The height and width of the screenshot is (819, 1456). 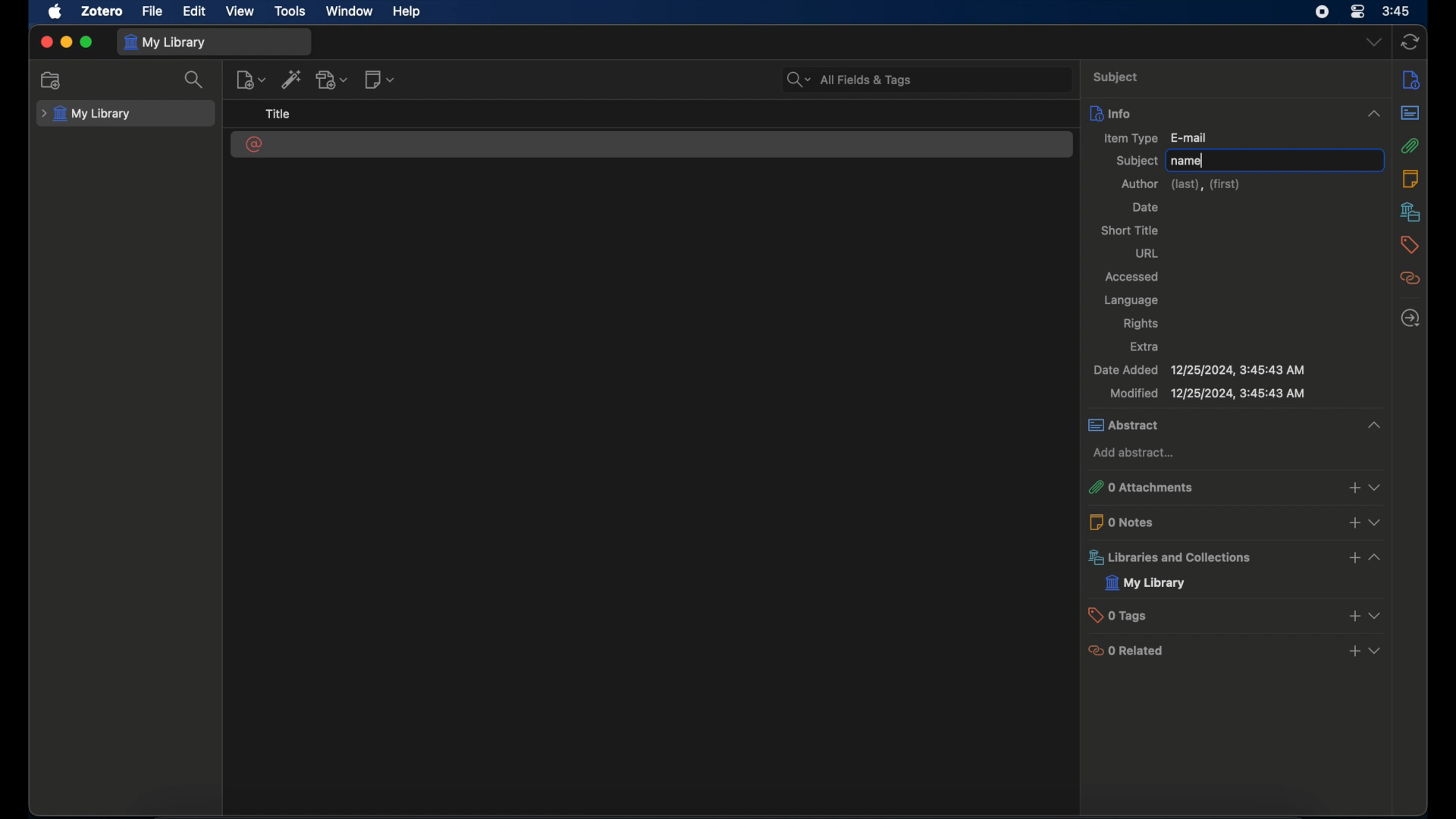 I want to click on libraries, so click(x=1409, y=212).